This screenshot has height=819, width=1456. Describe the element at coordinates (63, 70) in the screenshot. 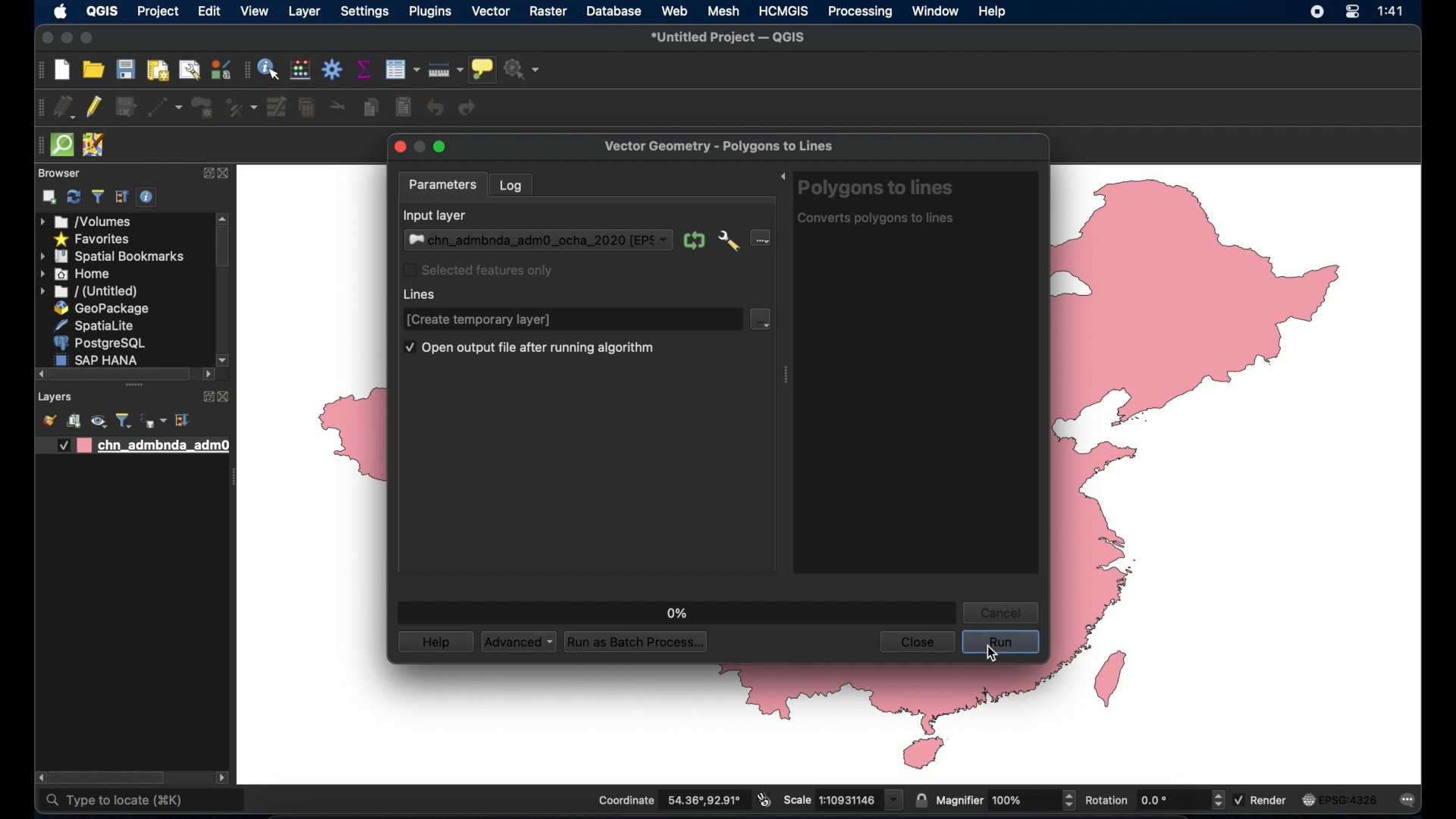

I see `new project` at that location.